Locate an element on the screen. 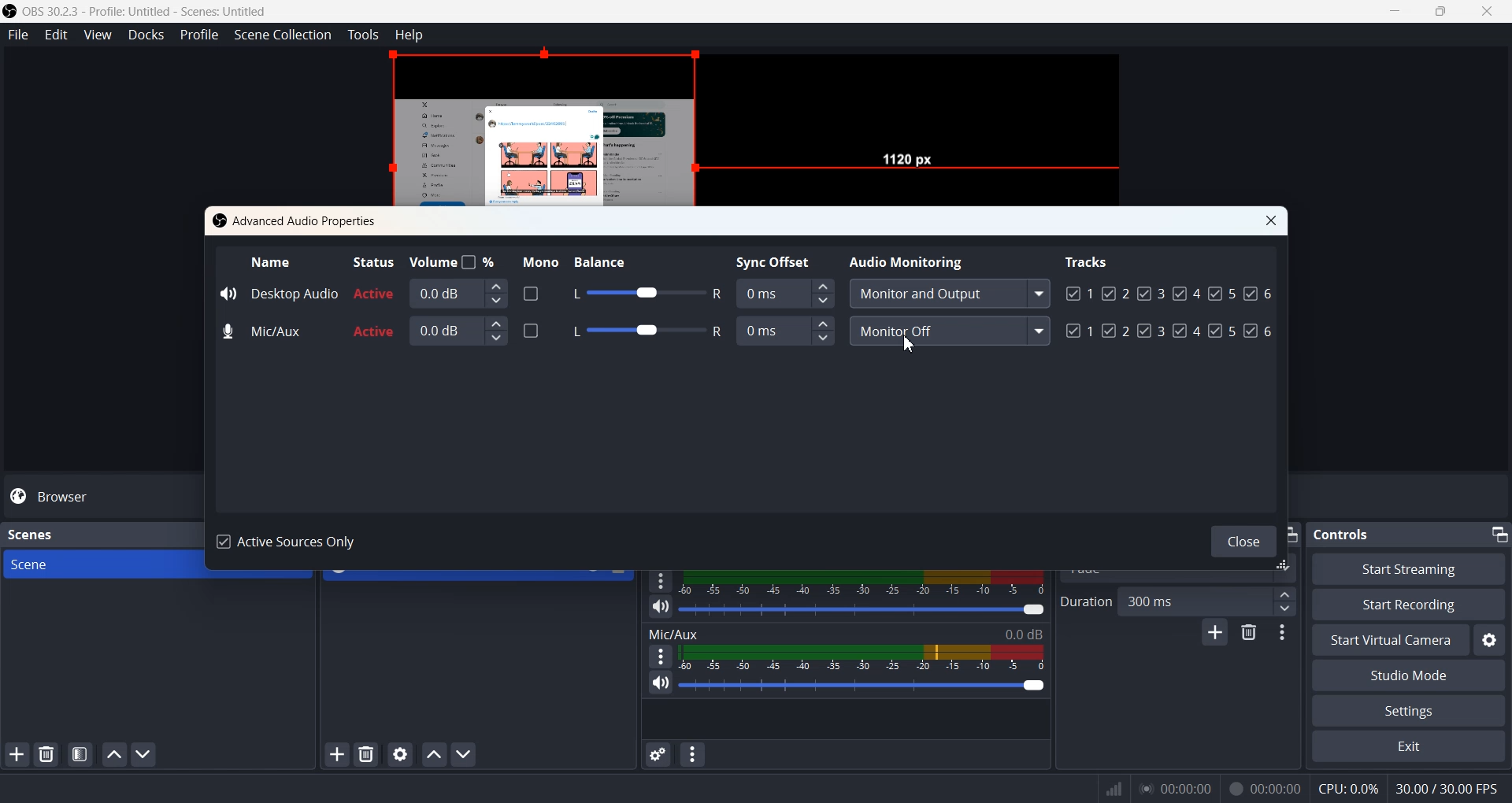  File is located at coordinates (18, 35).